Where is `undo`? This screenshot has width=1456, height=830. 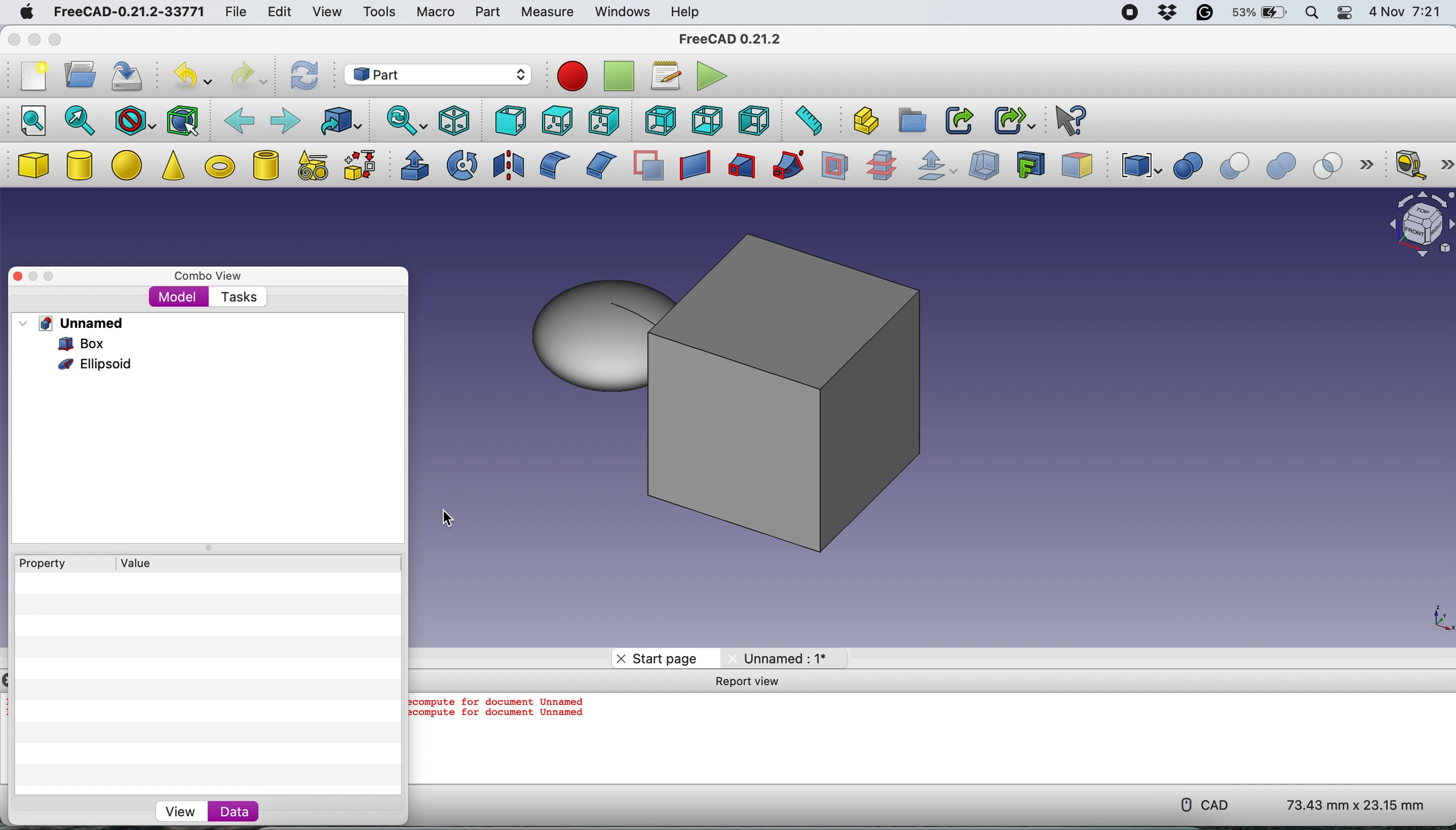 undo is located at coordinates (189, 76).